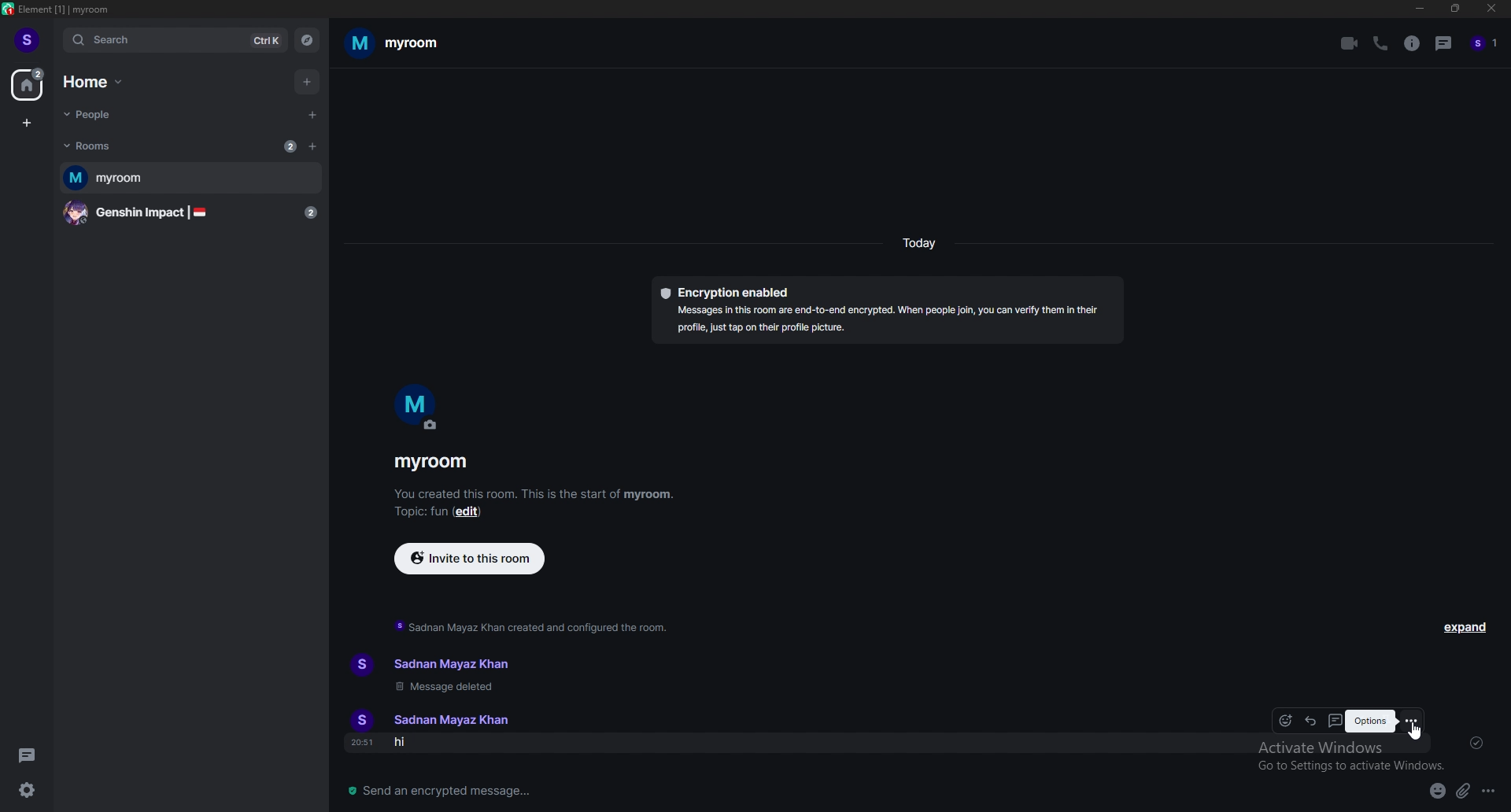 This screenshot has height=812, width=1511. Describe the element at coordinates (27, 790) in the screenshot. I see `settings` at that location.